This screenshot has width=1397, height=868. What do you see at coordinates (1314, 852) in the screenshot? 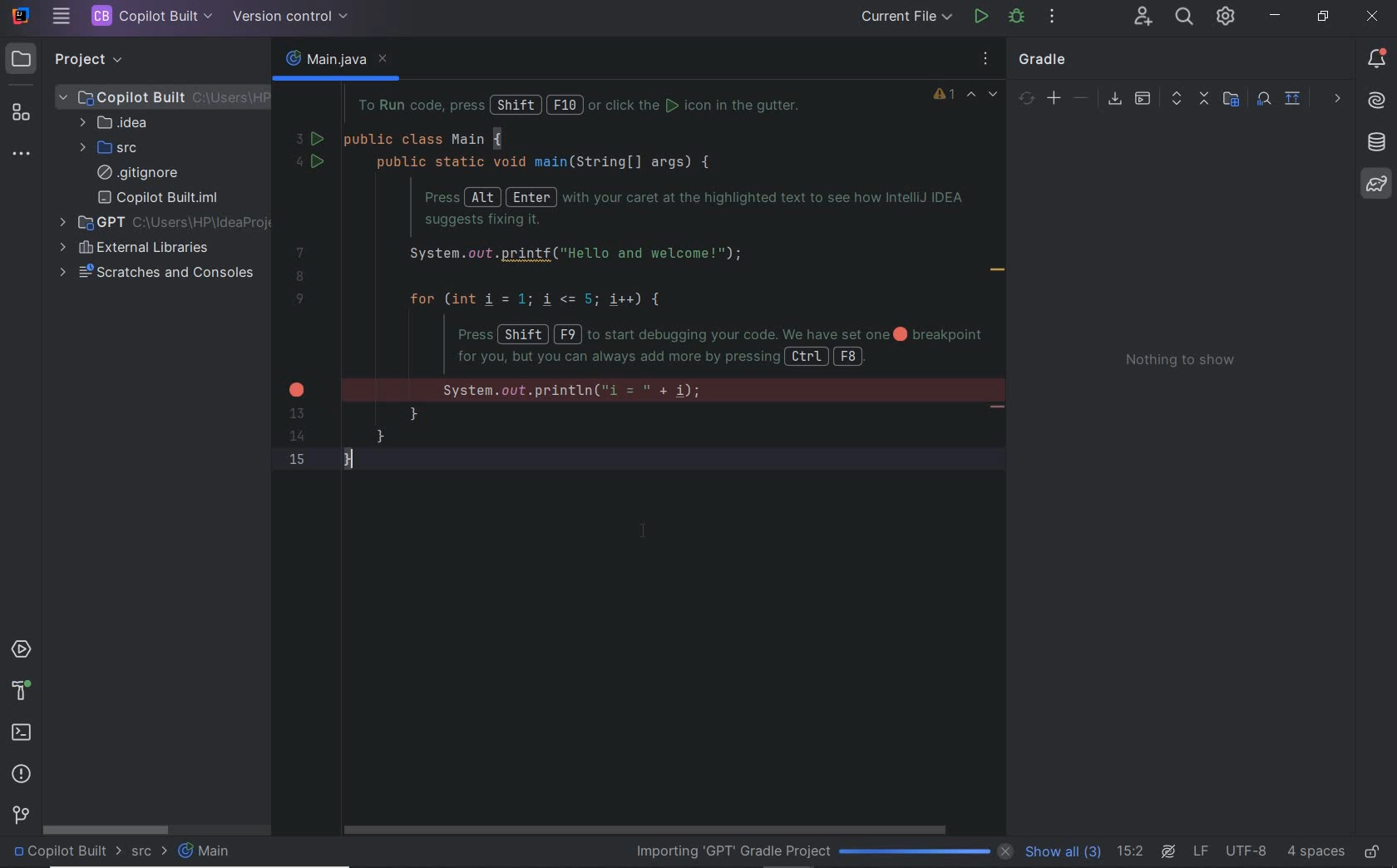
I see `indent` at bounding box center [1314, 852].